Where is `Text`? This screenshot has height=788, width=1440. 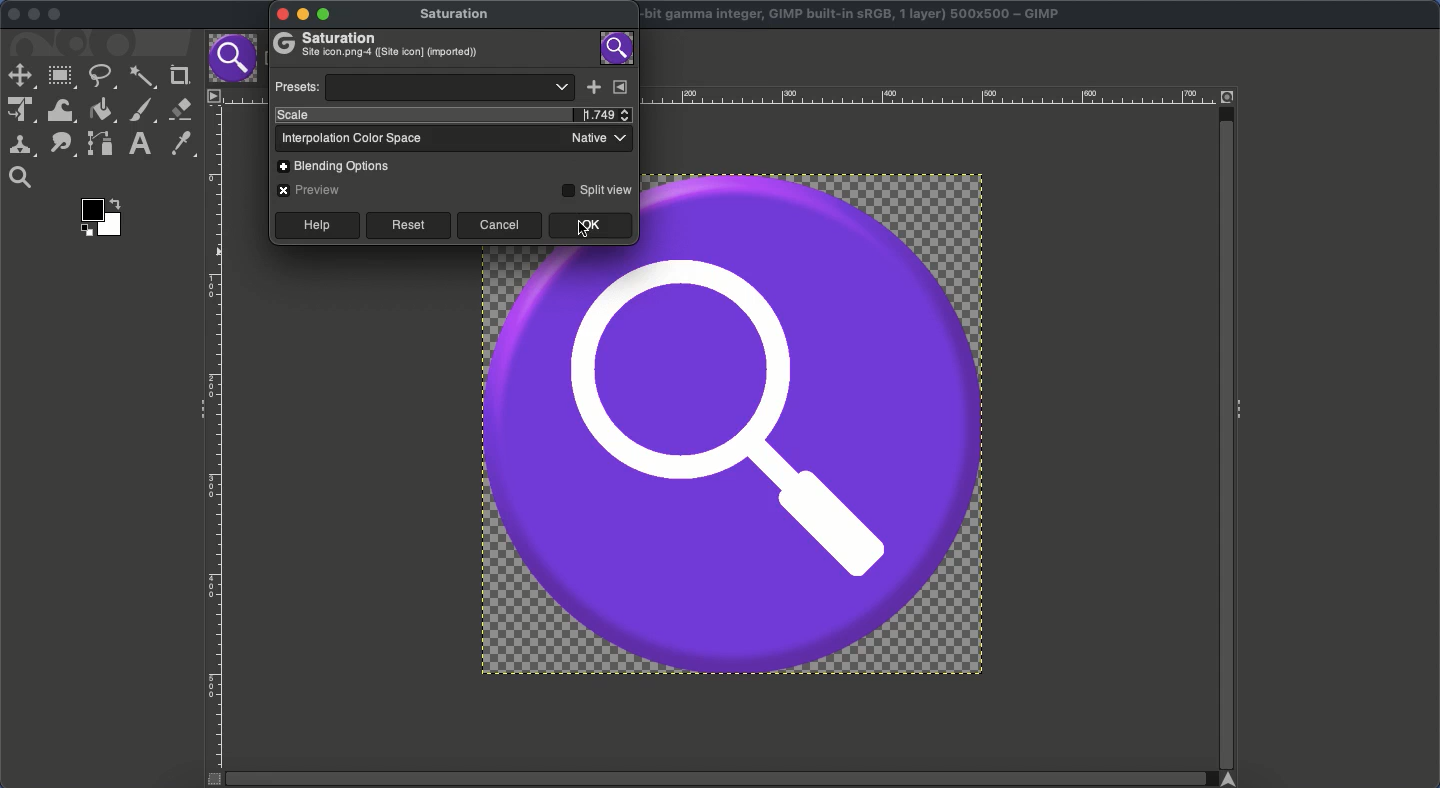
Text is located at coordinates (139, 144).